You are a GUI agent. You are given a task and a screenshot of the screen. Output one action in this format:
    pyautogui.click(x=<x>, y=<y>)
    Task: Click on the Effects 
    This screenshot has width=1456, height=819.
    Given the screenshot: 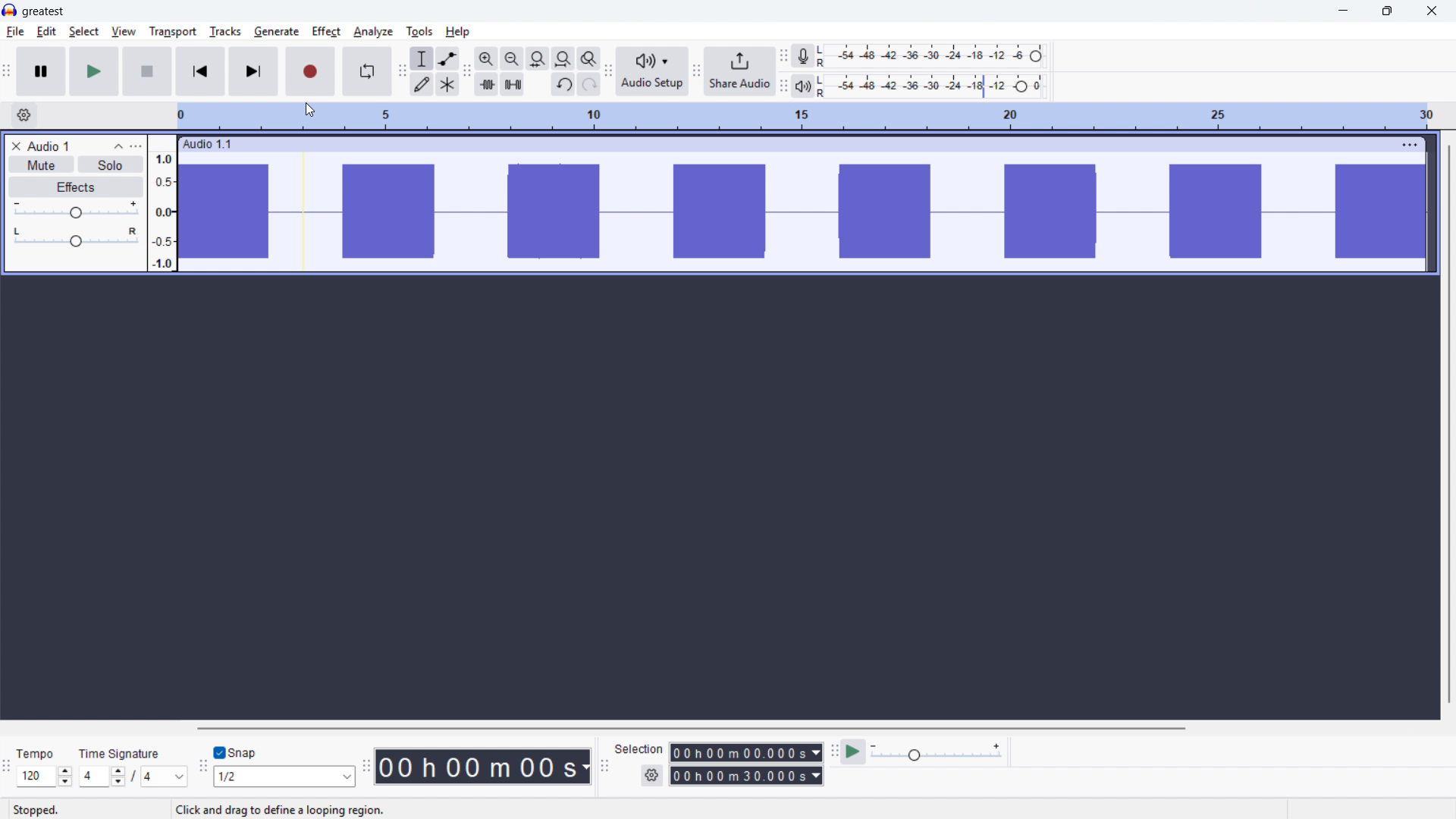 What is the action you would take?
    pyautogui.click(x=76, y=187)
    